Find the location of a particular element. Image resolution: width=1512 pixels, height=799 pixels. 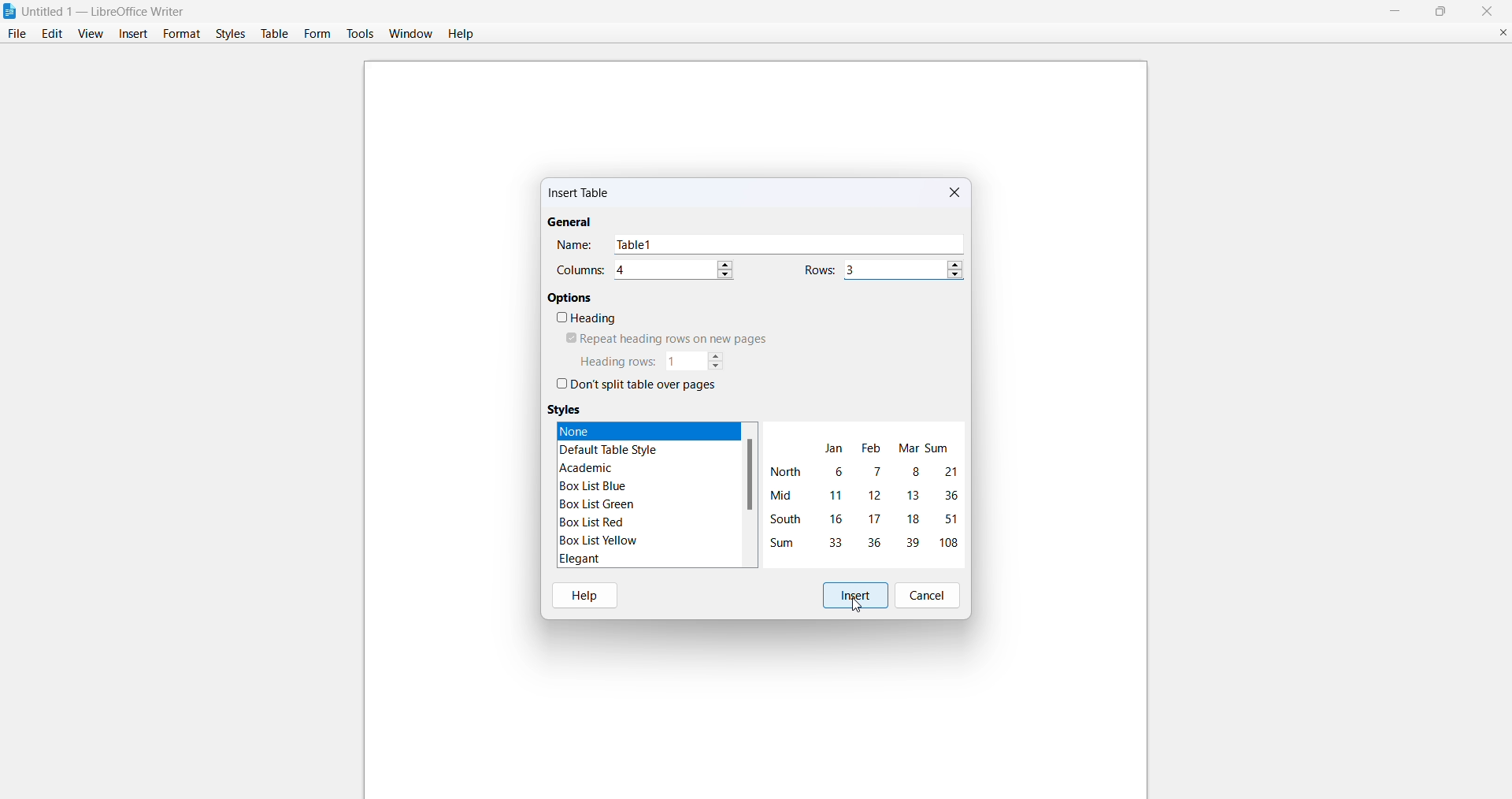

insert is located at coordinates (854, 594).